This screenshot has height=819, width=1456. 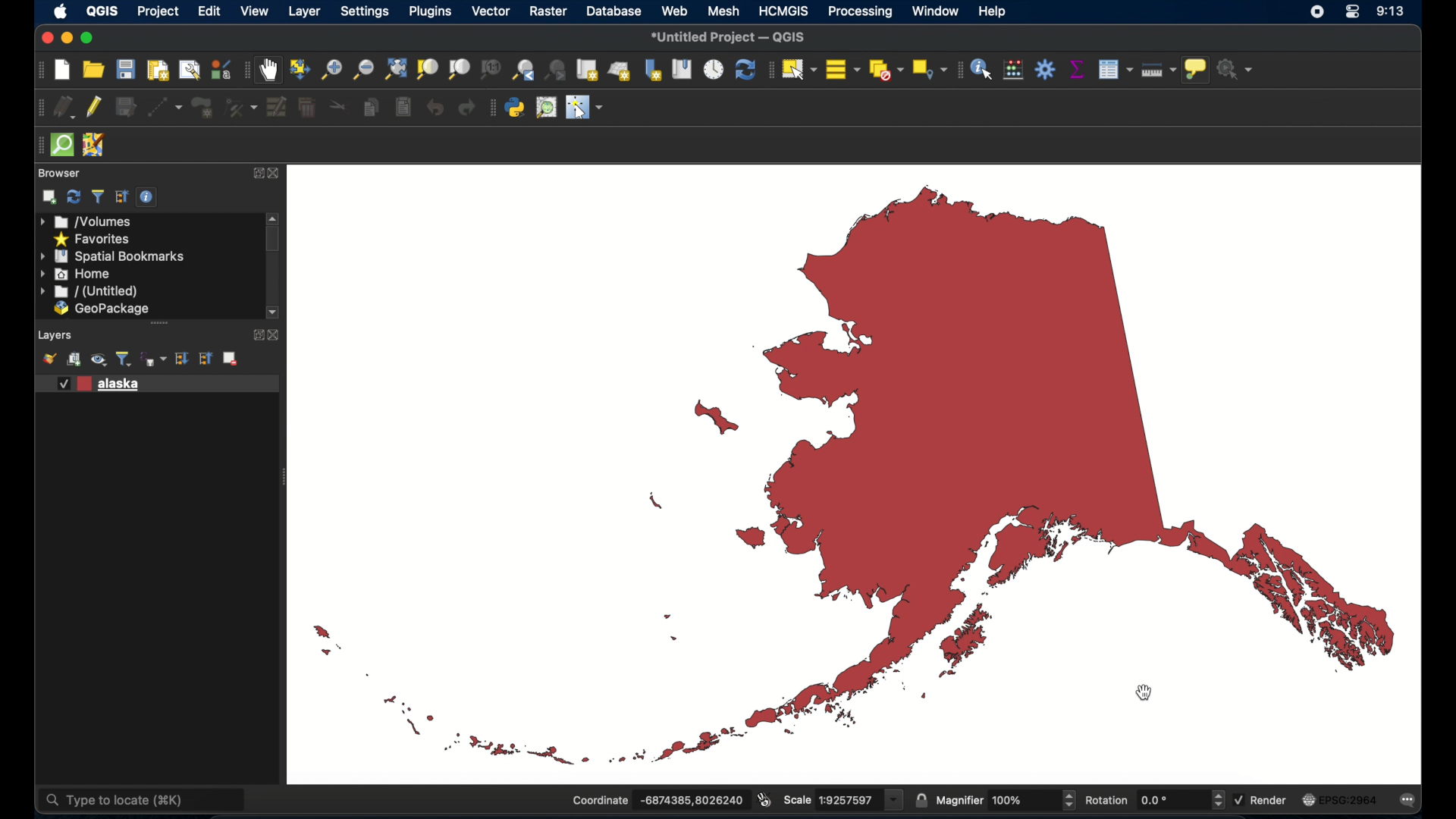 I want to click on minimize, so click(x=67, y=39).